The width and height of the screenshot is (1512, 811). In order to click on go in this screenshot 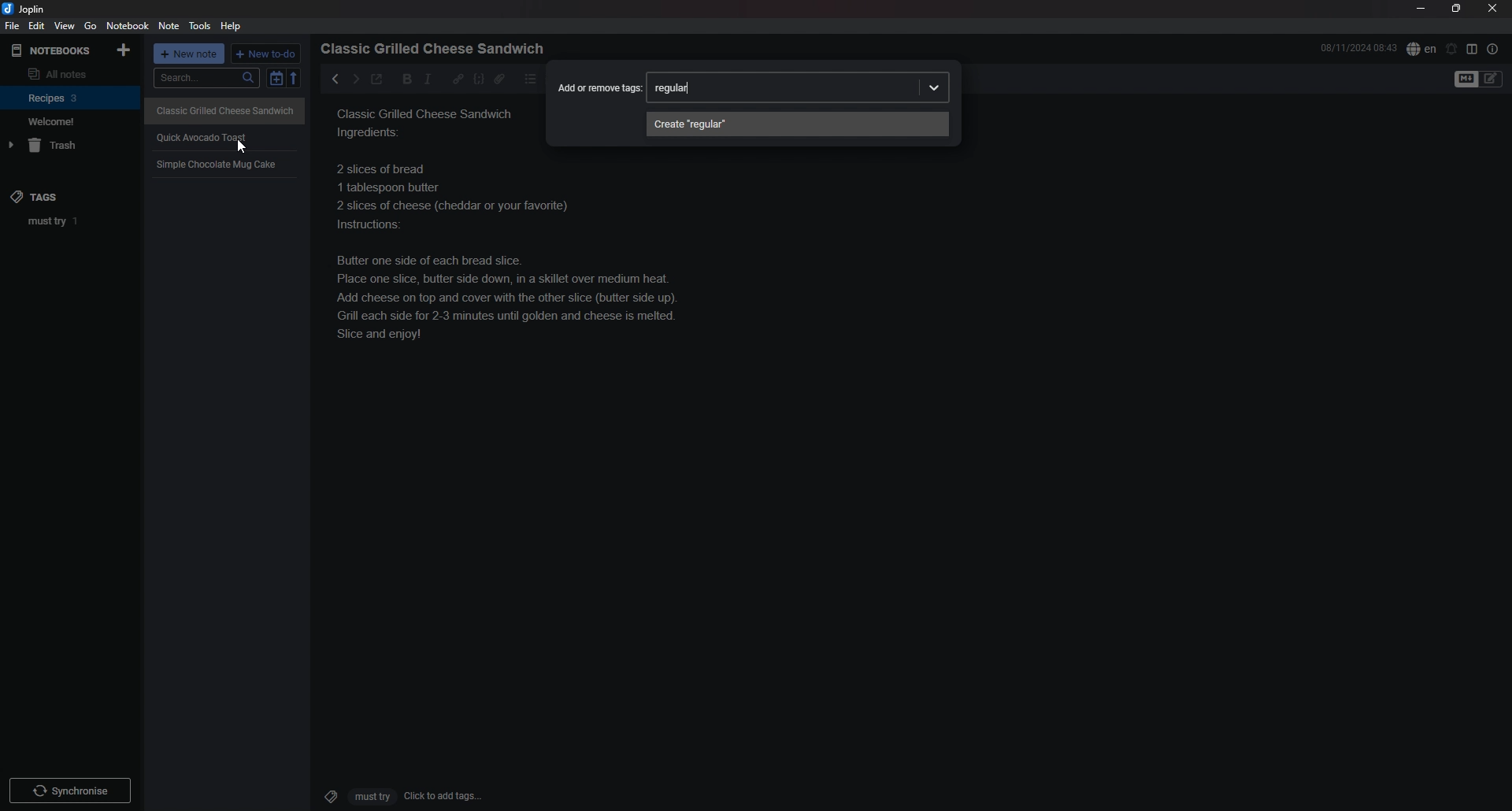, I will do `click(91, 25)`.